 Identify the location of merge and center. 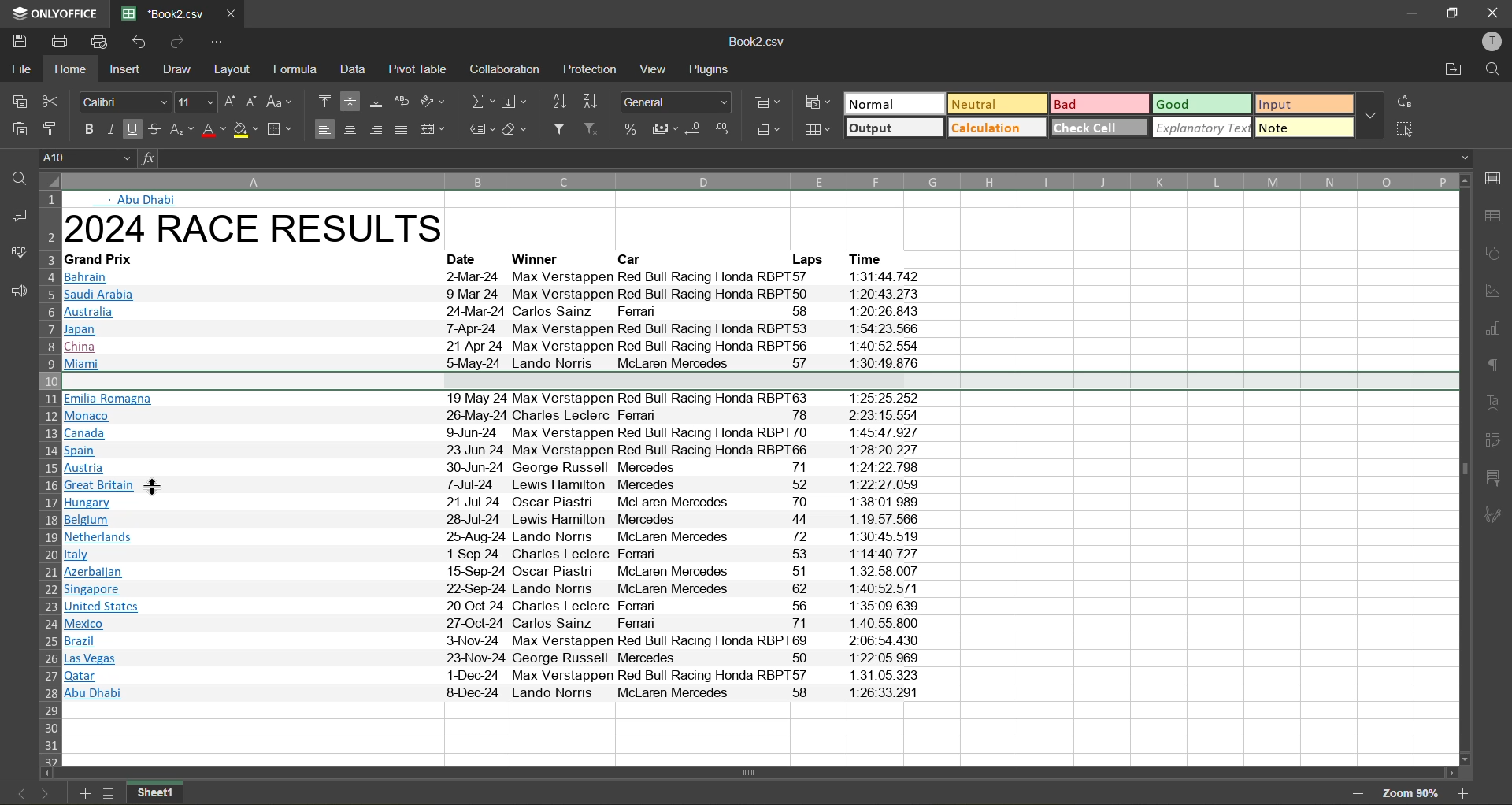
(434, 129).